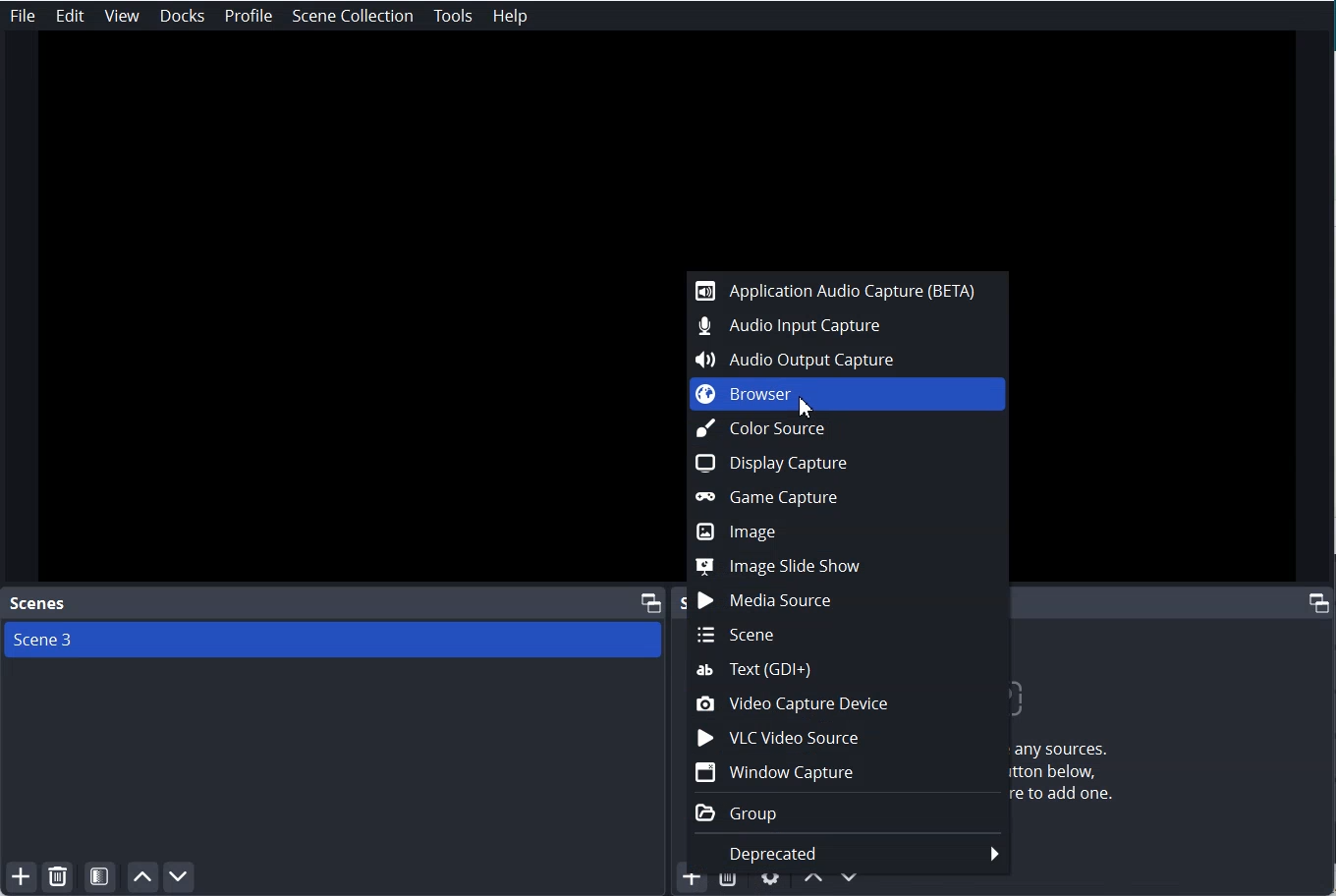 The image size is (1336, 896). Describe the element at coordinates (122, 17) in the screenshot. I see `View` at that location.